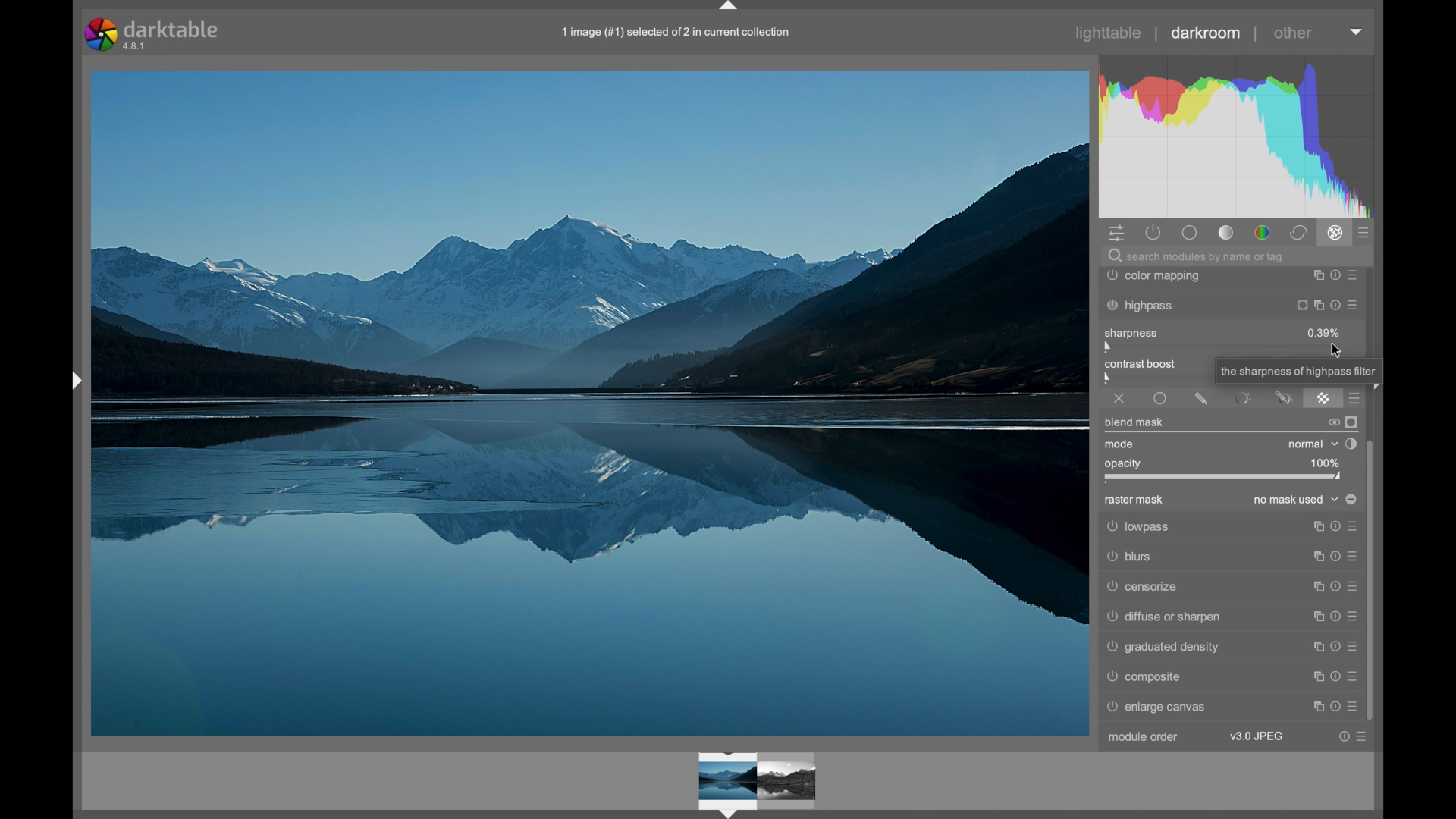 The image size is (1456, 819). I want to click on censorize, so click(1229, 587).